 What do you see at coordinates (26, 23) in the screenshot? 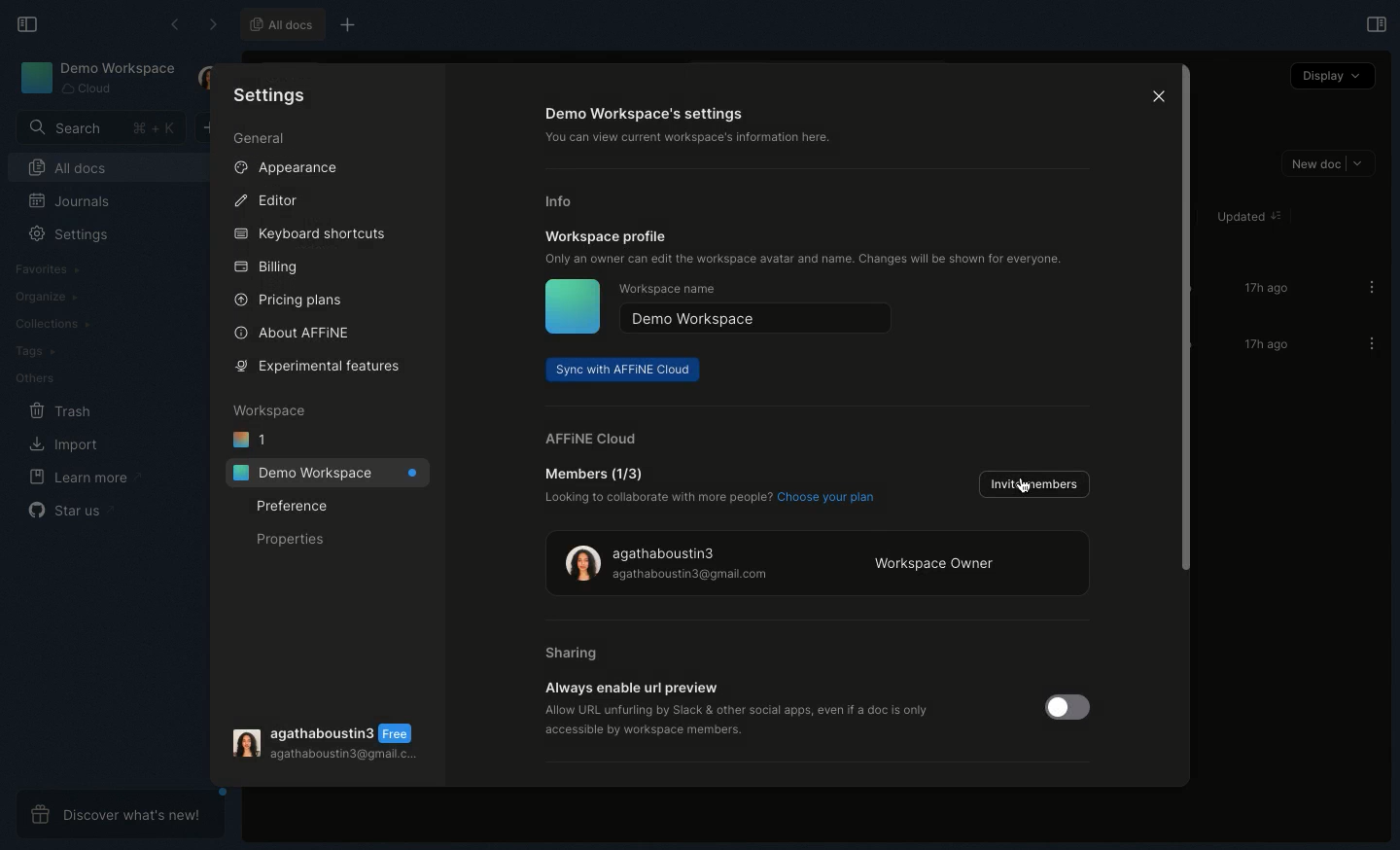
I see `Collapse sidebar` at bounding box center [26, 23].